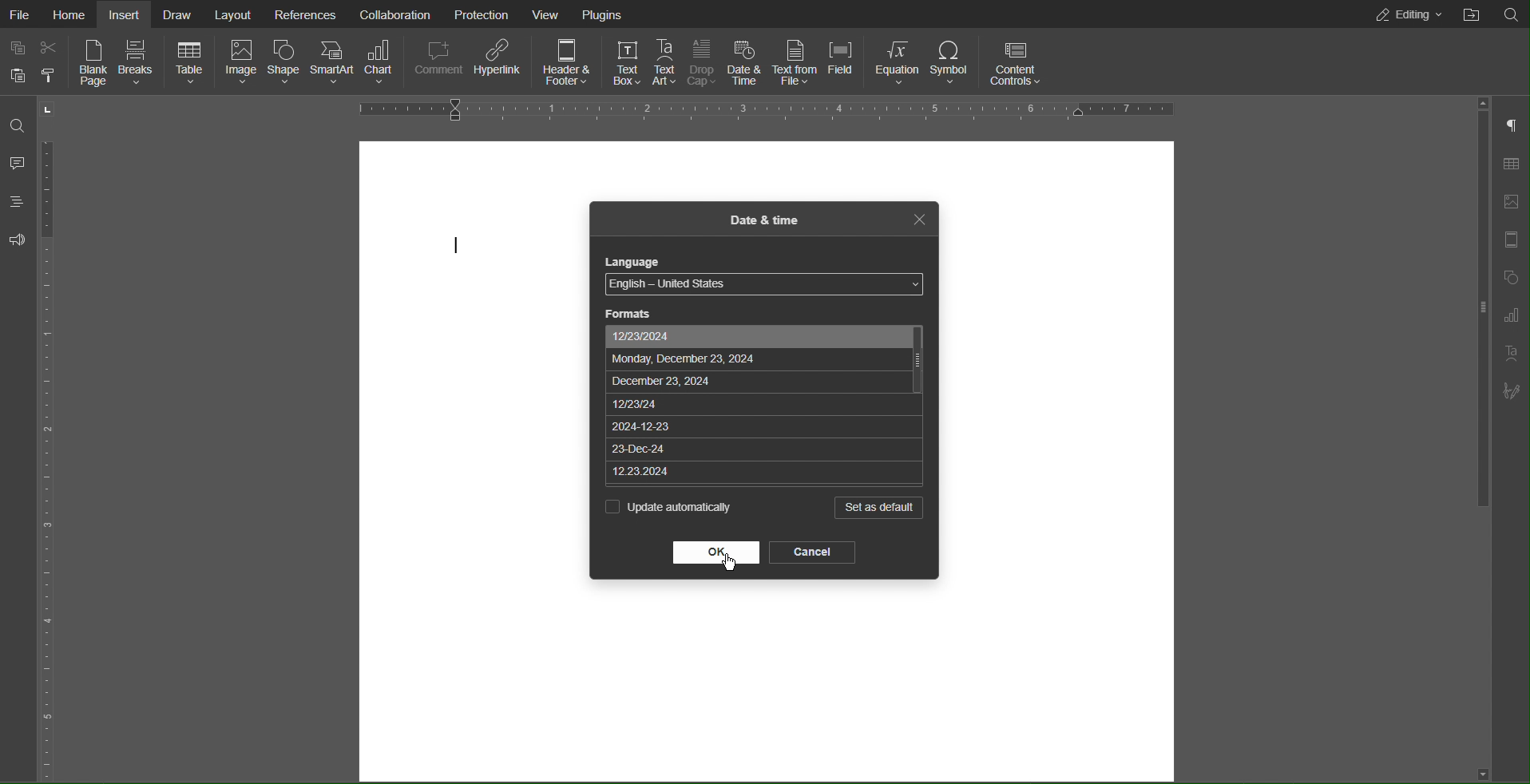  What do you see at coordinates (715, 552) in the screenshot?
I see `OK` at bounding box center [715, 552].